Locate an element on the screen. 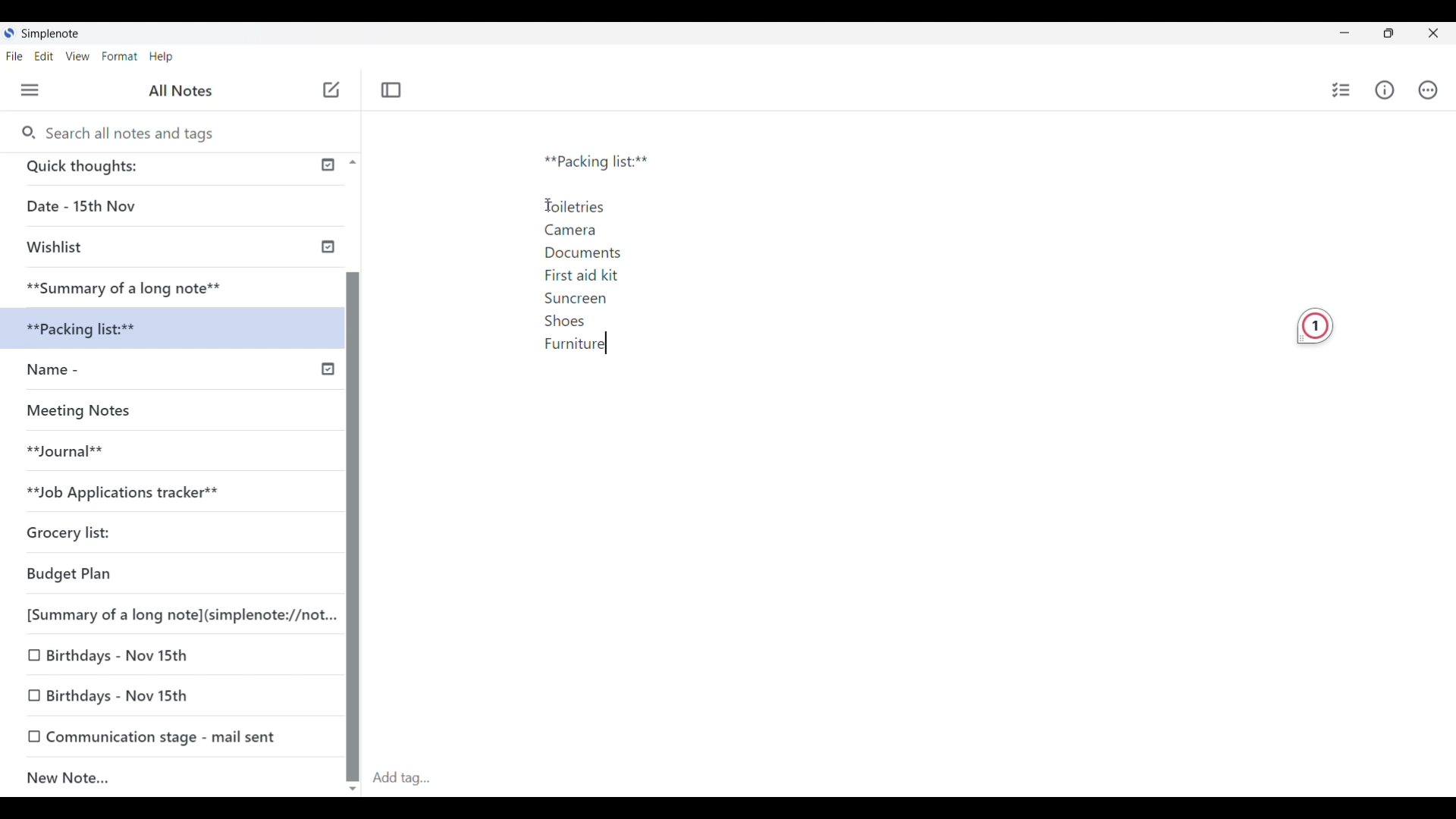  Name - is located at coordinates (85, 372).